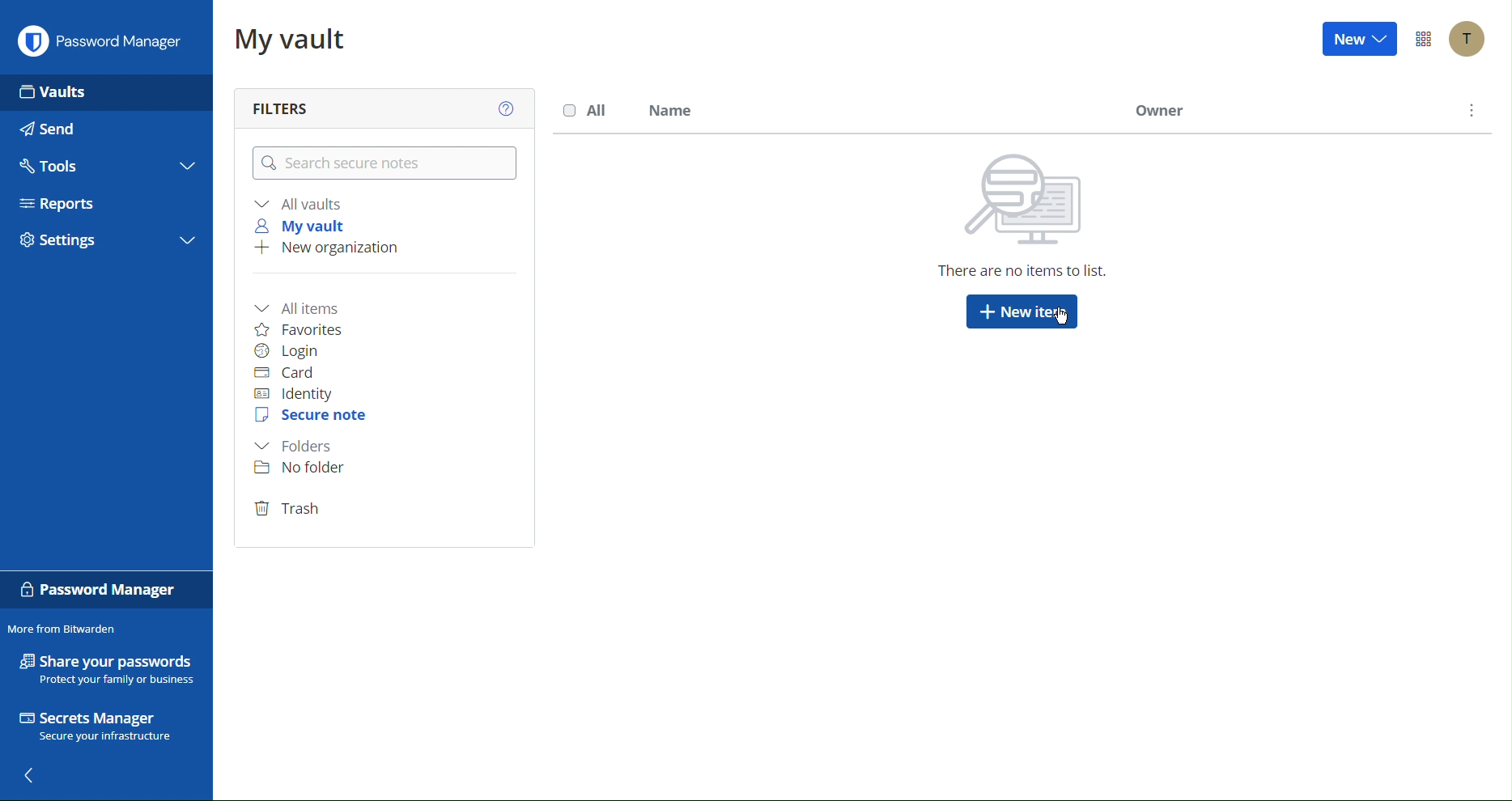 This screenshot has width=1512, height=801. Describe the element at coordinates (291, 104) in the screenshot. I see `Filters` at that location.